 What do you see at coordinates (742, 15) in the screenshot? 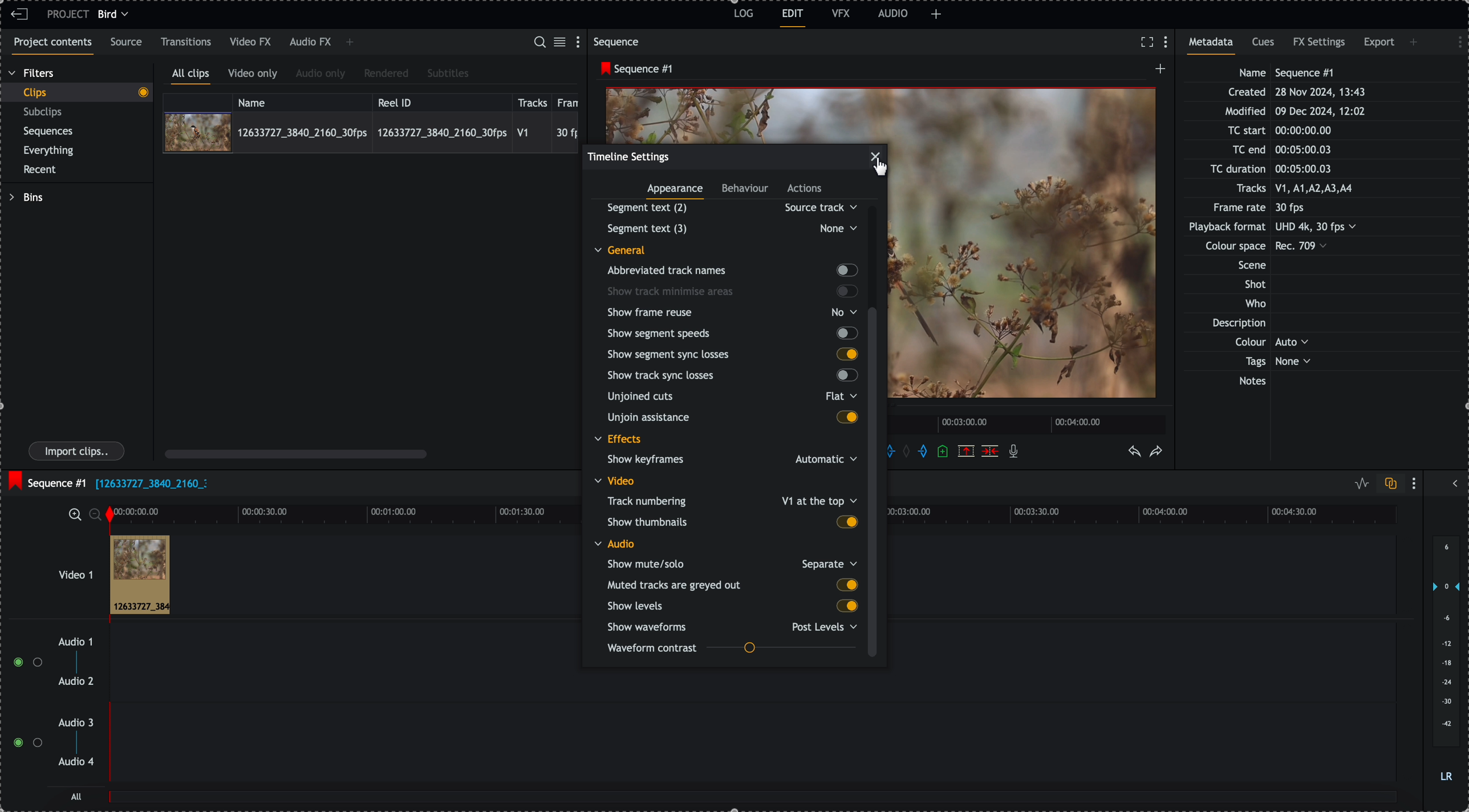
I see `log` at bounding box center [742, 15].